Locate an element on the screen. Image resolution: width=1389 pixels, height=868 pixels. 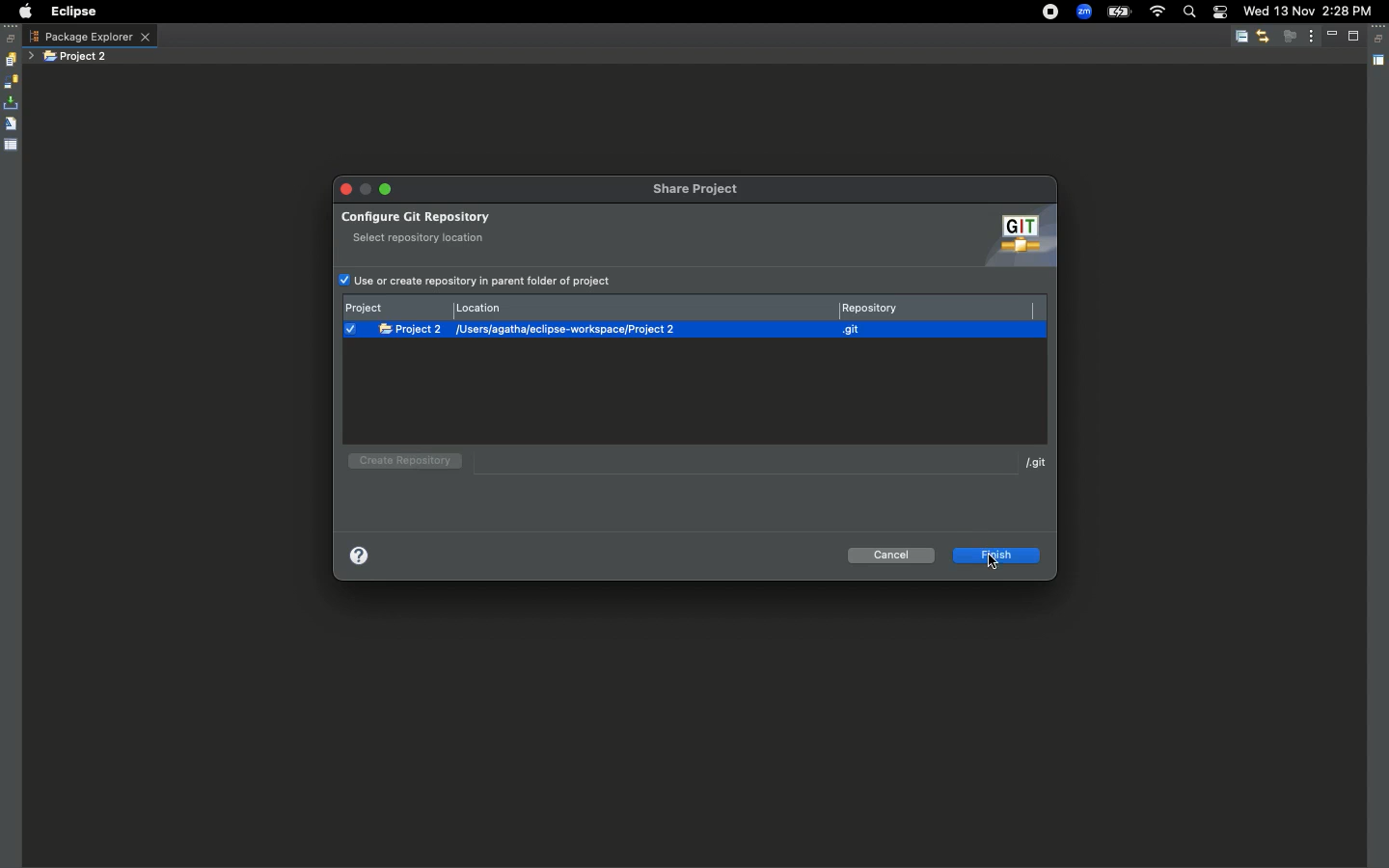
Collapse all is located at coordinates (1241, 38).